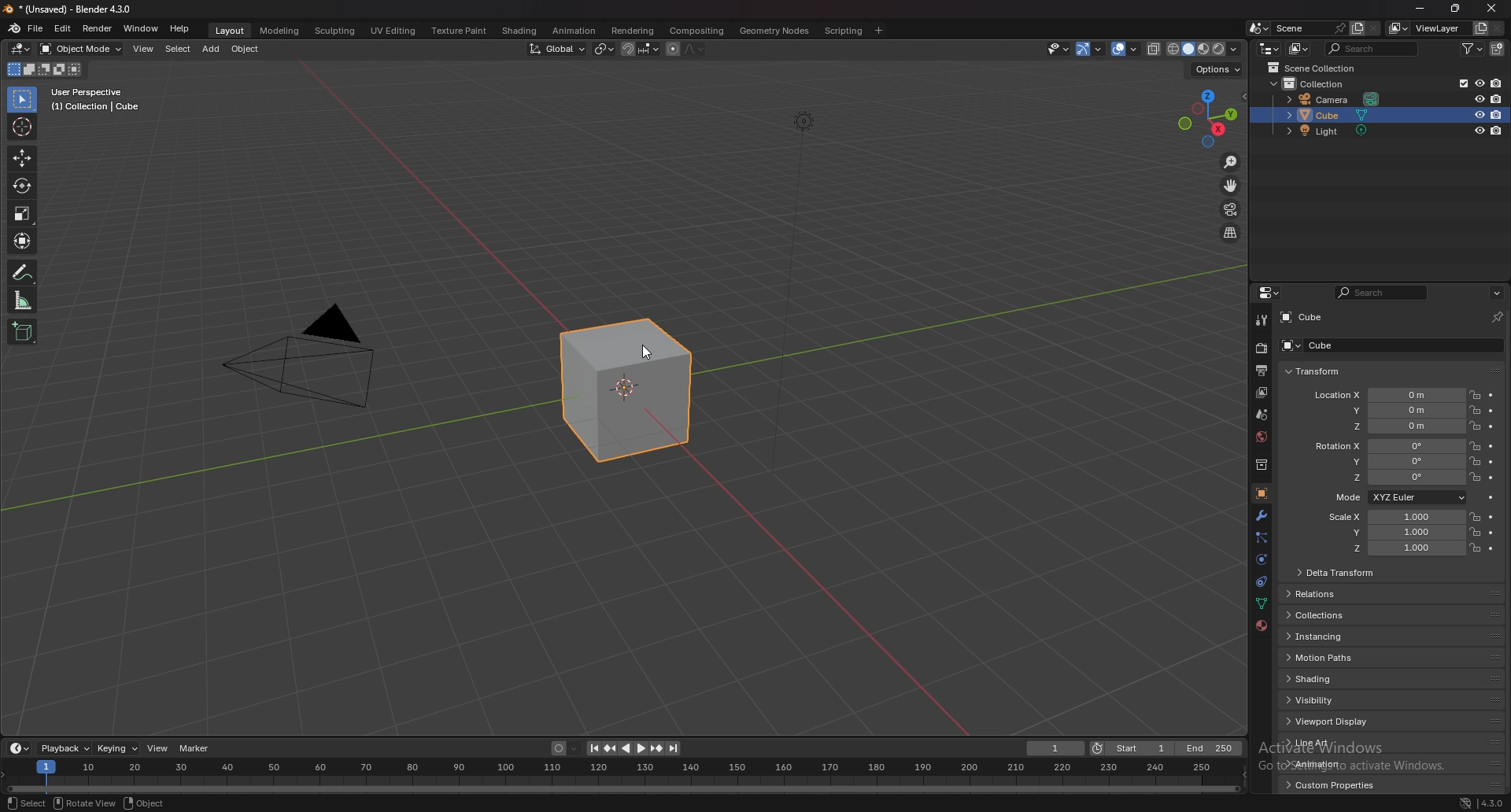  I want to click on rotation z, so click(1394, 478).